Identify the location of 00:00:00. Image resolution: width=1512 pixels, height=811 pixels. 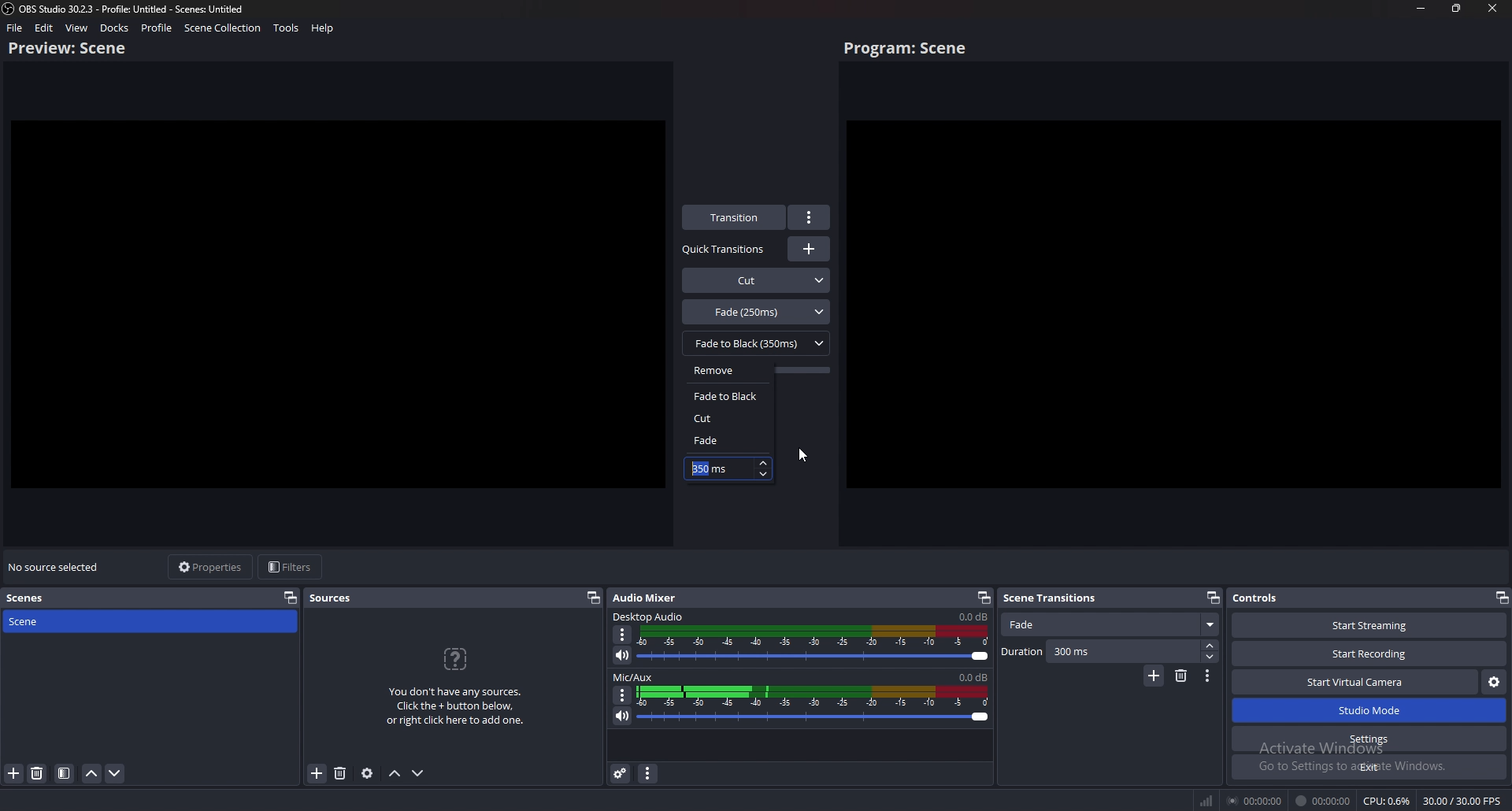
(1253, 802).